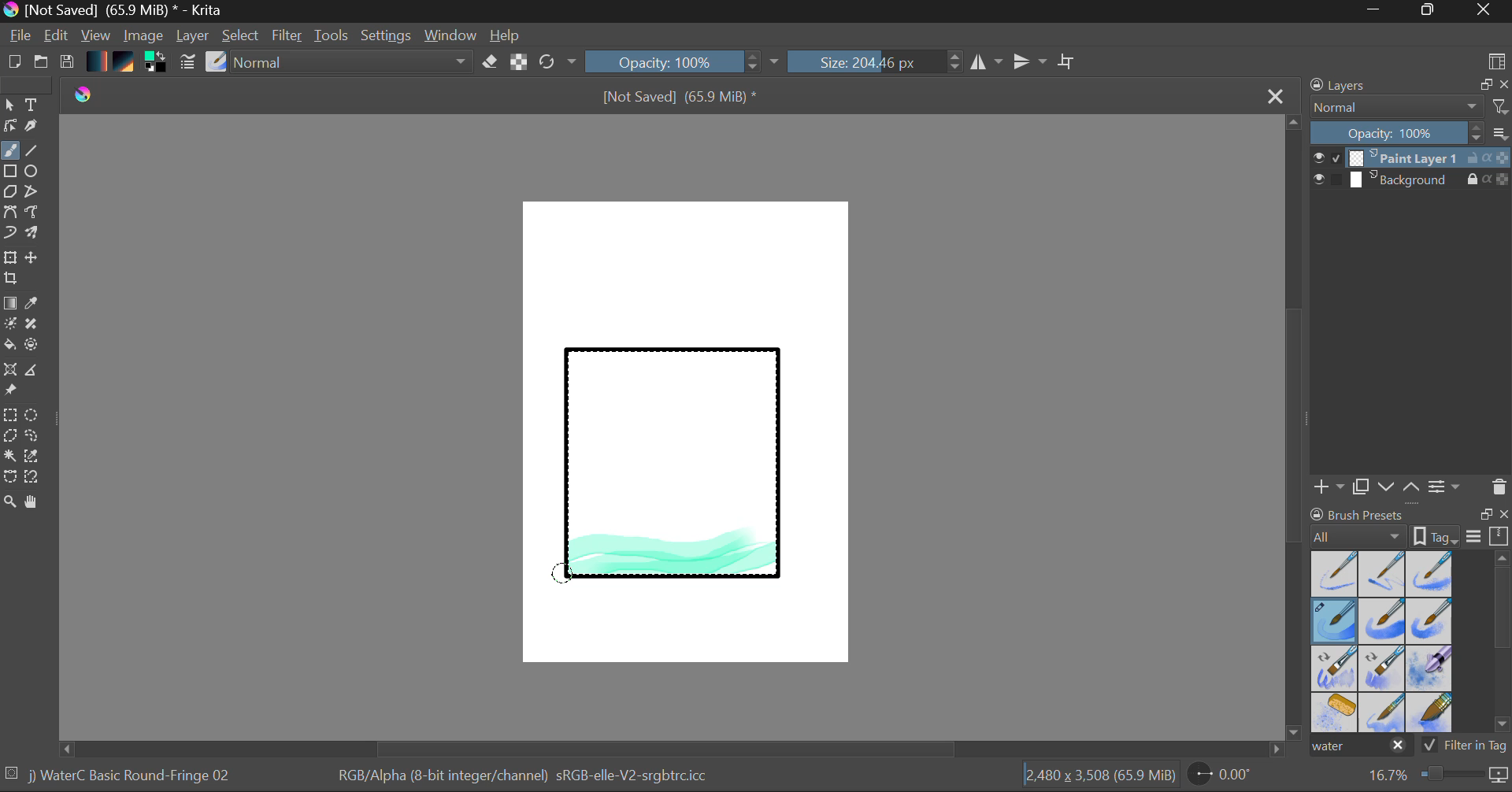  Describe the element at coordinates (37, 129) in the screenshot. I see `Calligraphic Tool` at that location.